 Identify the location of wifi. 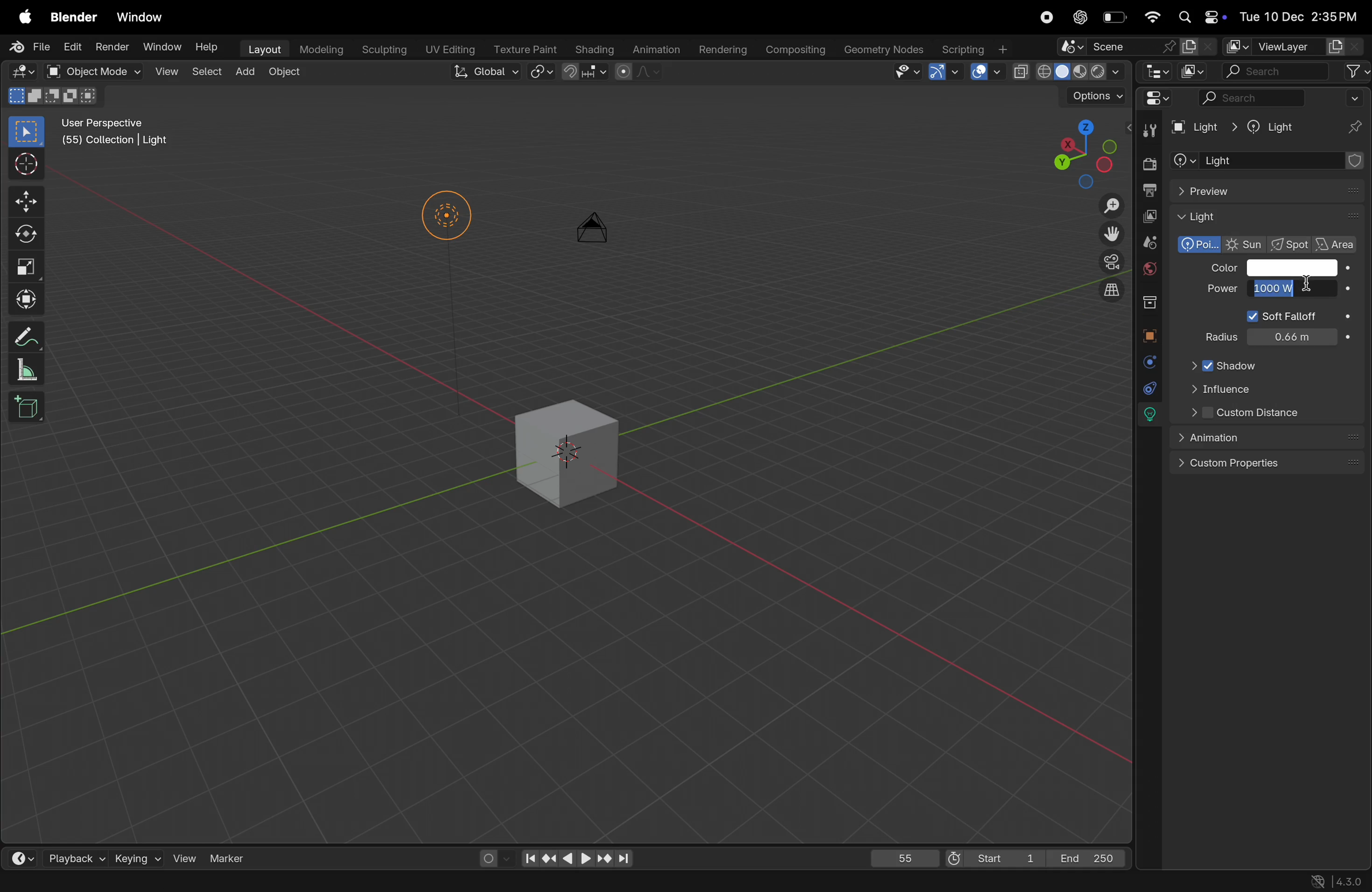
(1149, 16).